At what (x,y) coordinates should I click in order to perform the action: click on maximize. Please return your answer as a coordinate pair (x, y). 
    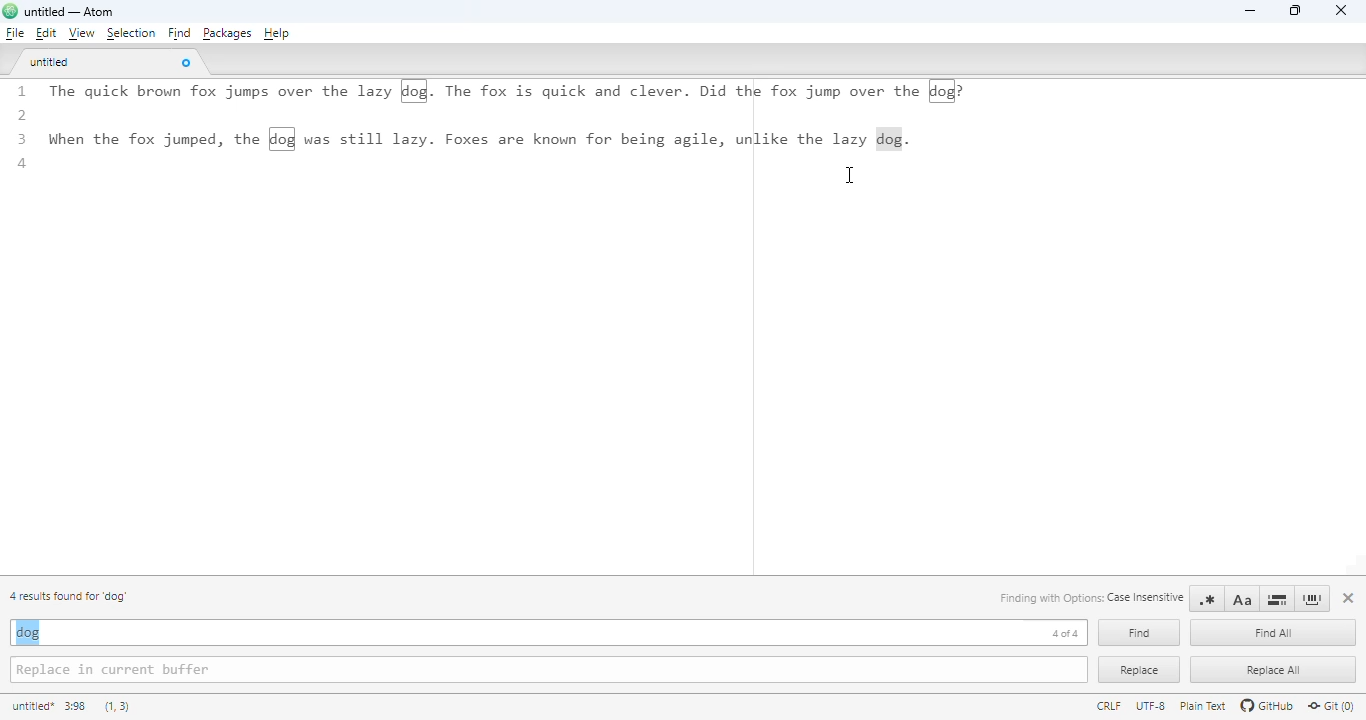
    Looking at the image, I should click on (1295, 11).